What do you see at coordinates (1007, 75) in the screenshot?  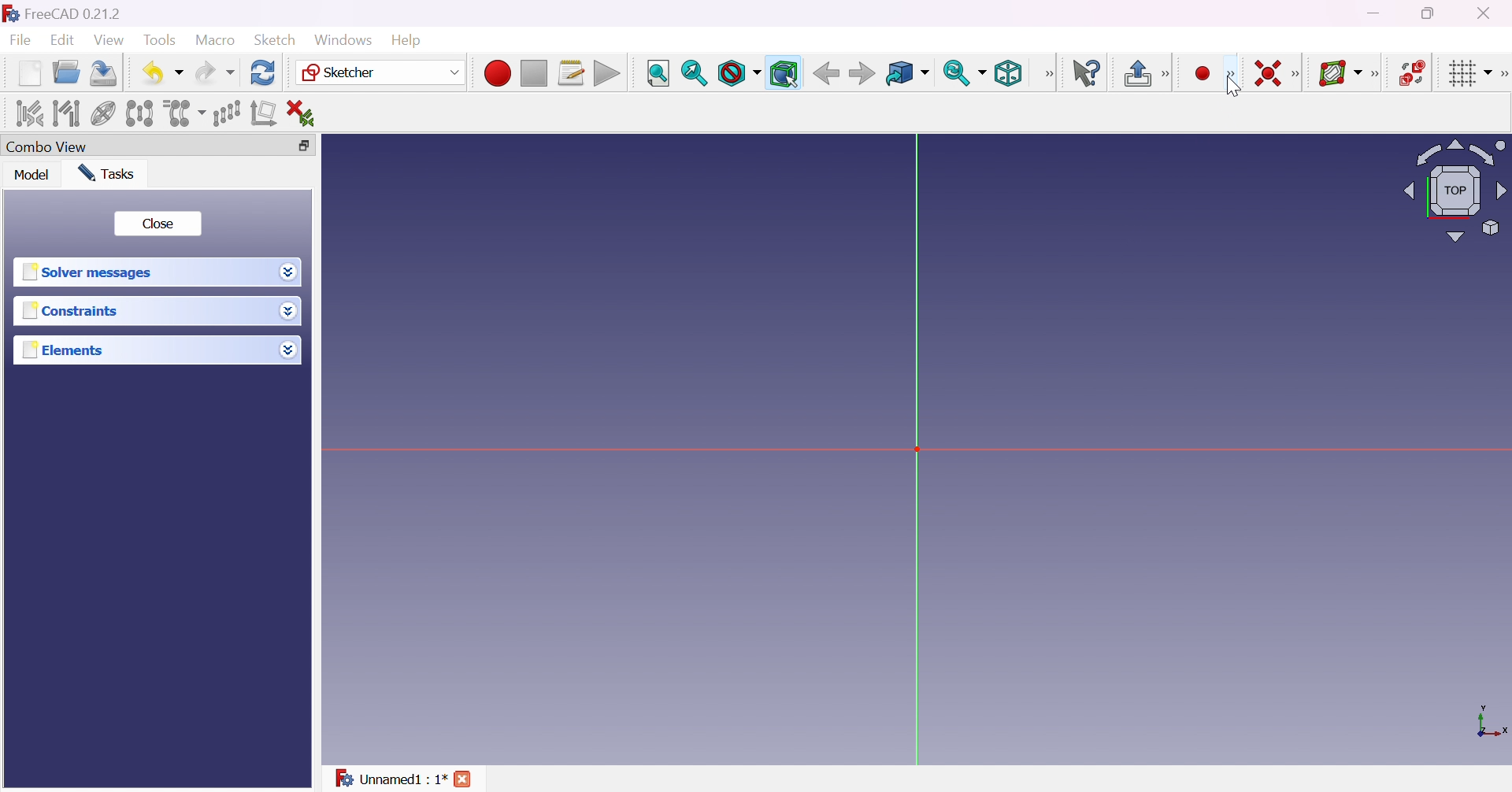 I see `Isometric` at bounding box center [1007, 75].